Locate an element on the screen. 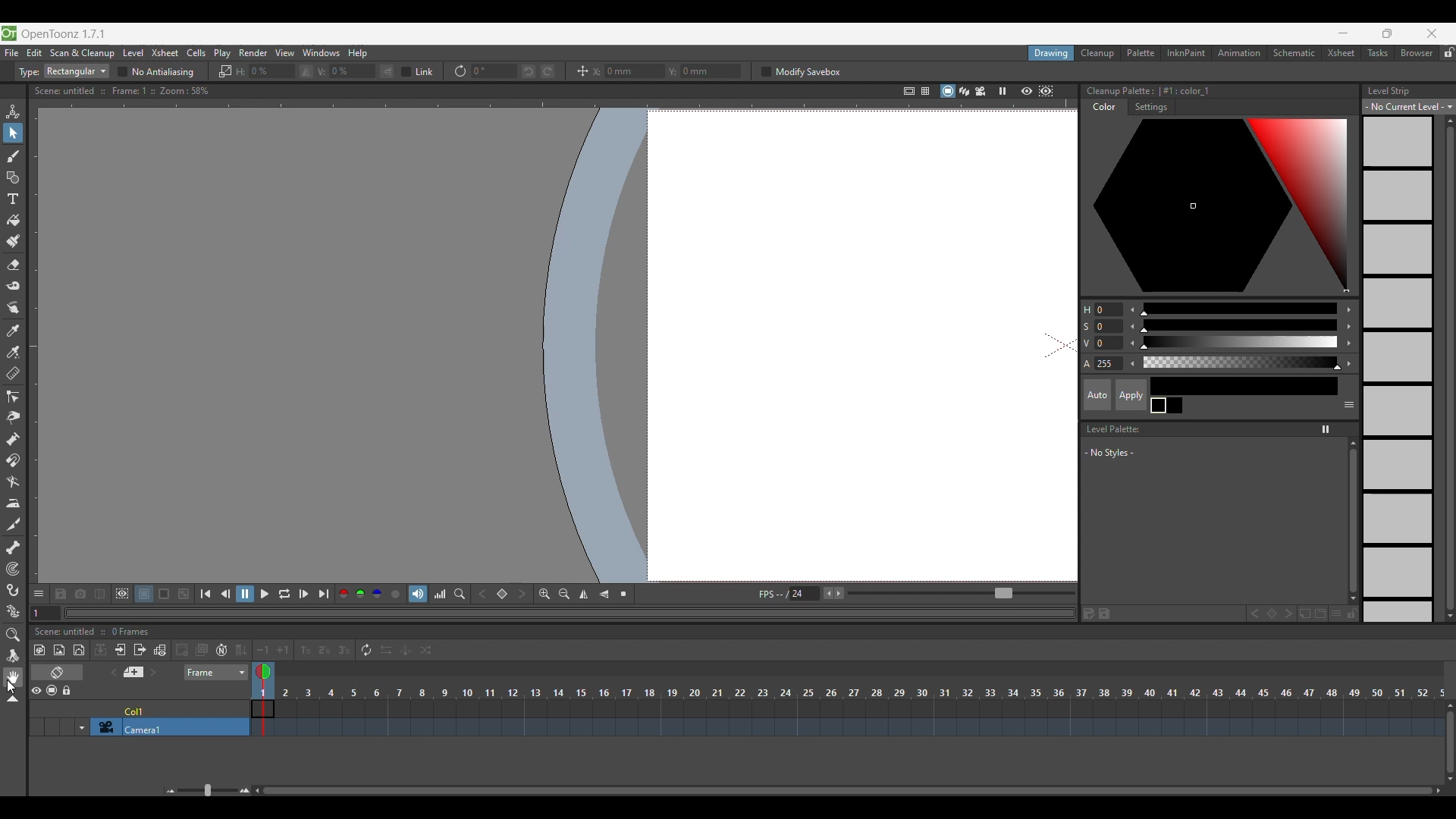  New style is located at coordinates (1330, 613).